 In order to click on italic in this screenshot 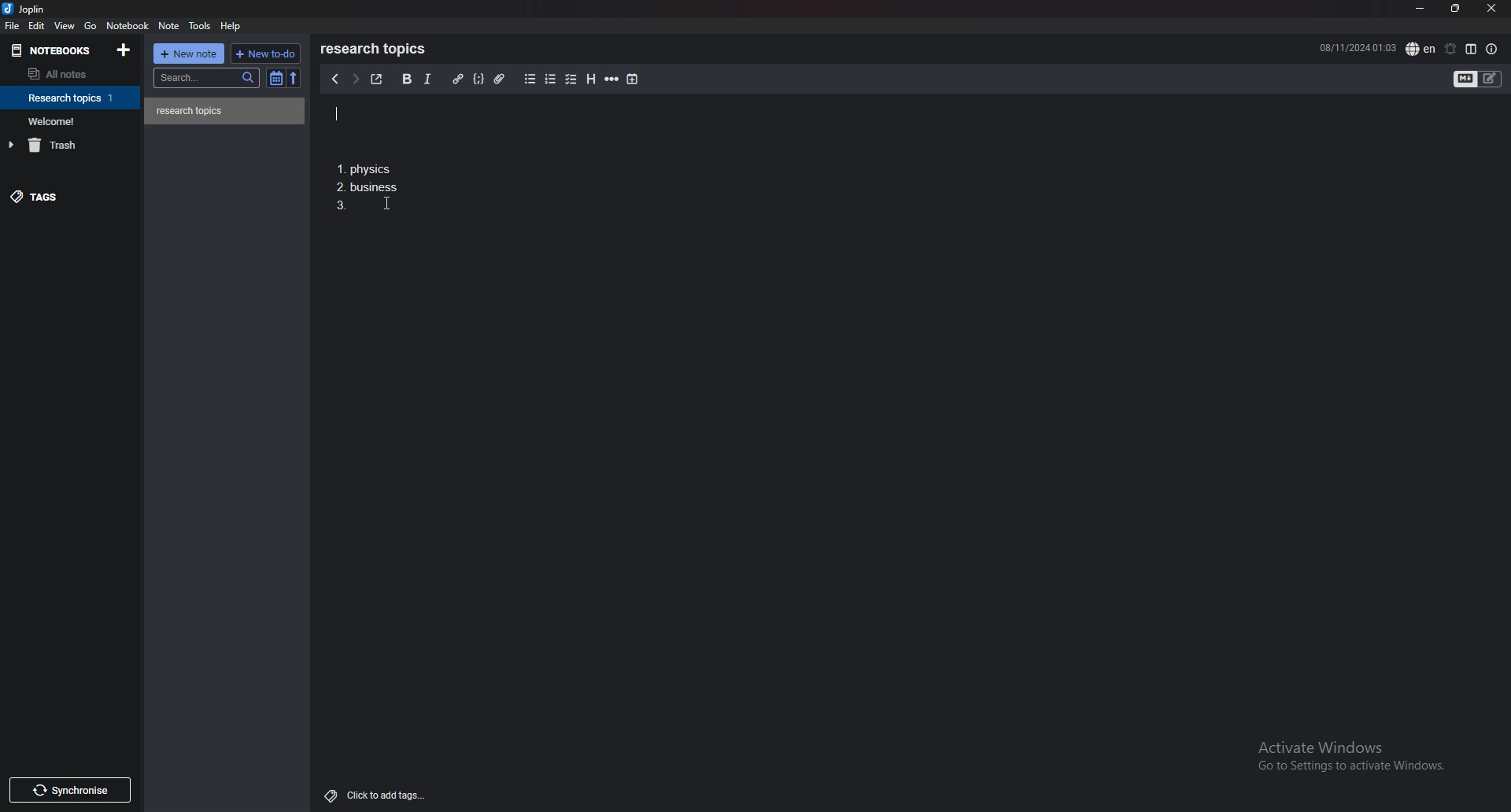, I will do `click(427, 79)`.